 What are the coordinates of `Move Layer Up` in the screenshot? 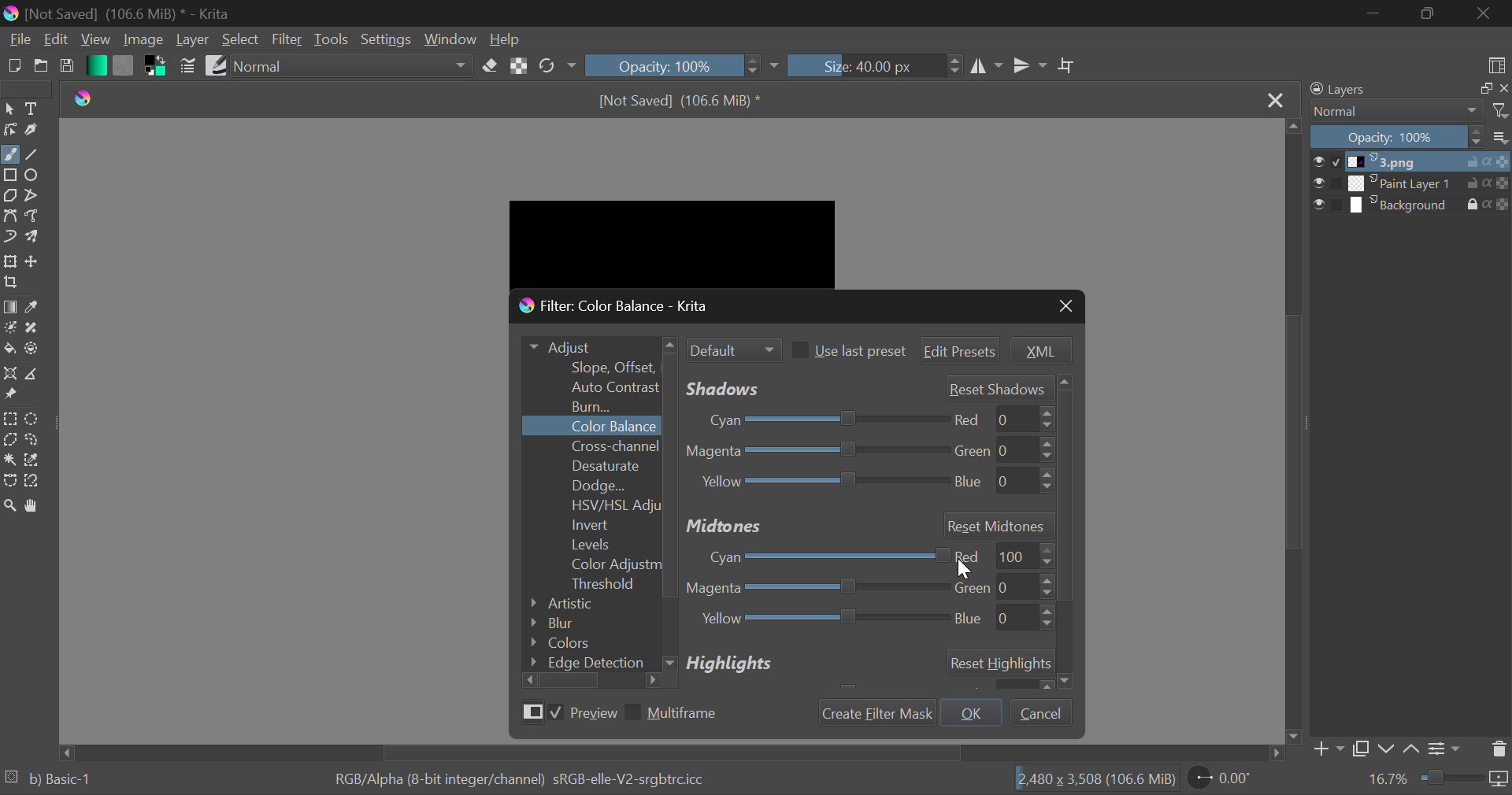 It's located at (1414, 748).